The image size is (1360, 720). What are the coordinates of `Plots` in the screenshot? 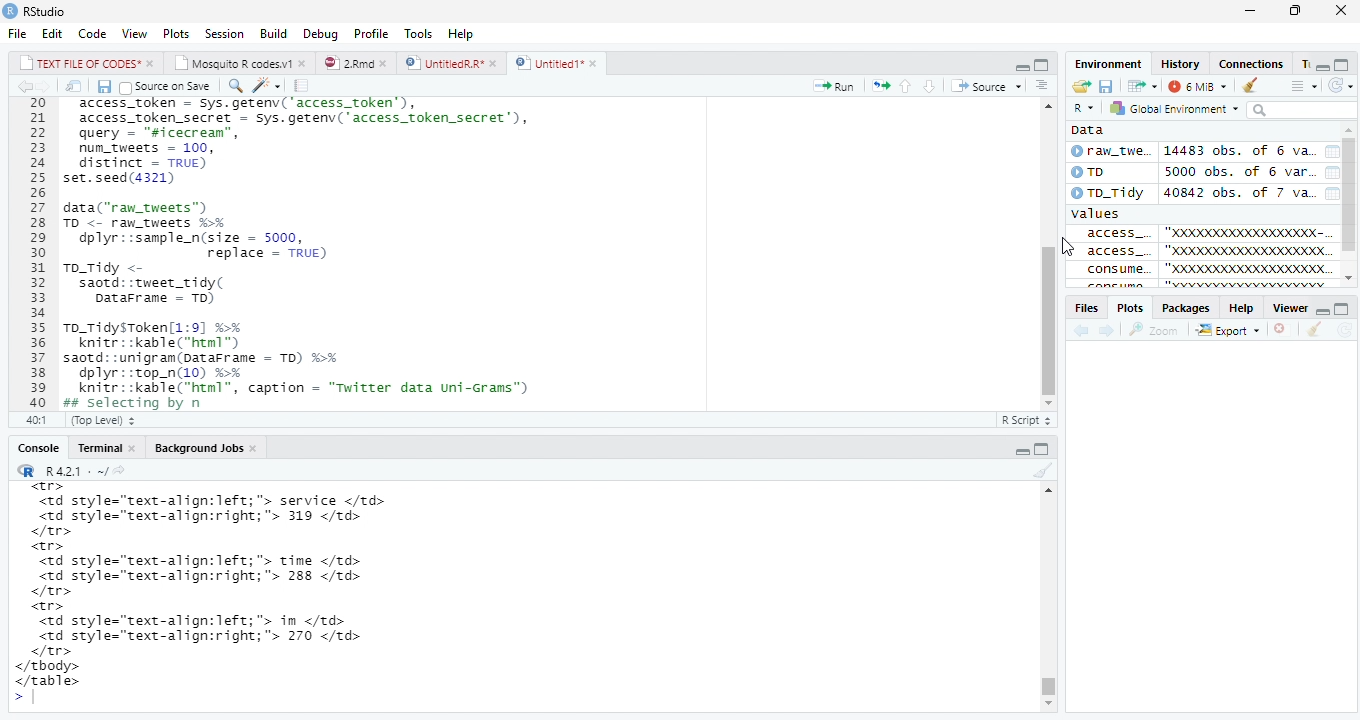 It's located at (176, 32).